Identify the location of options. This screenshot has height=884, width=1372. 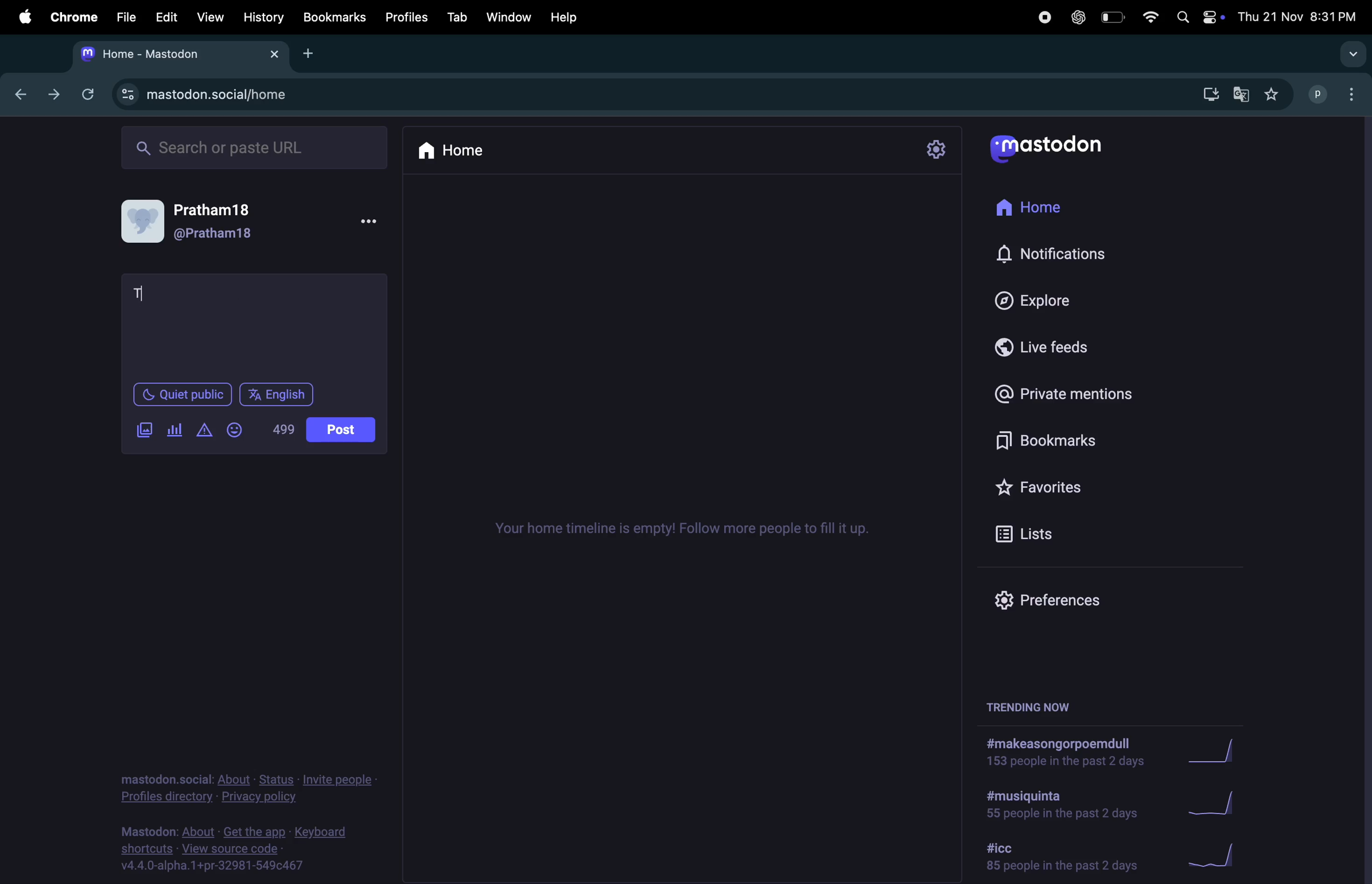
(1356, 95).